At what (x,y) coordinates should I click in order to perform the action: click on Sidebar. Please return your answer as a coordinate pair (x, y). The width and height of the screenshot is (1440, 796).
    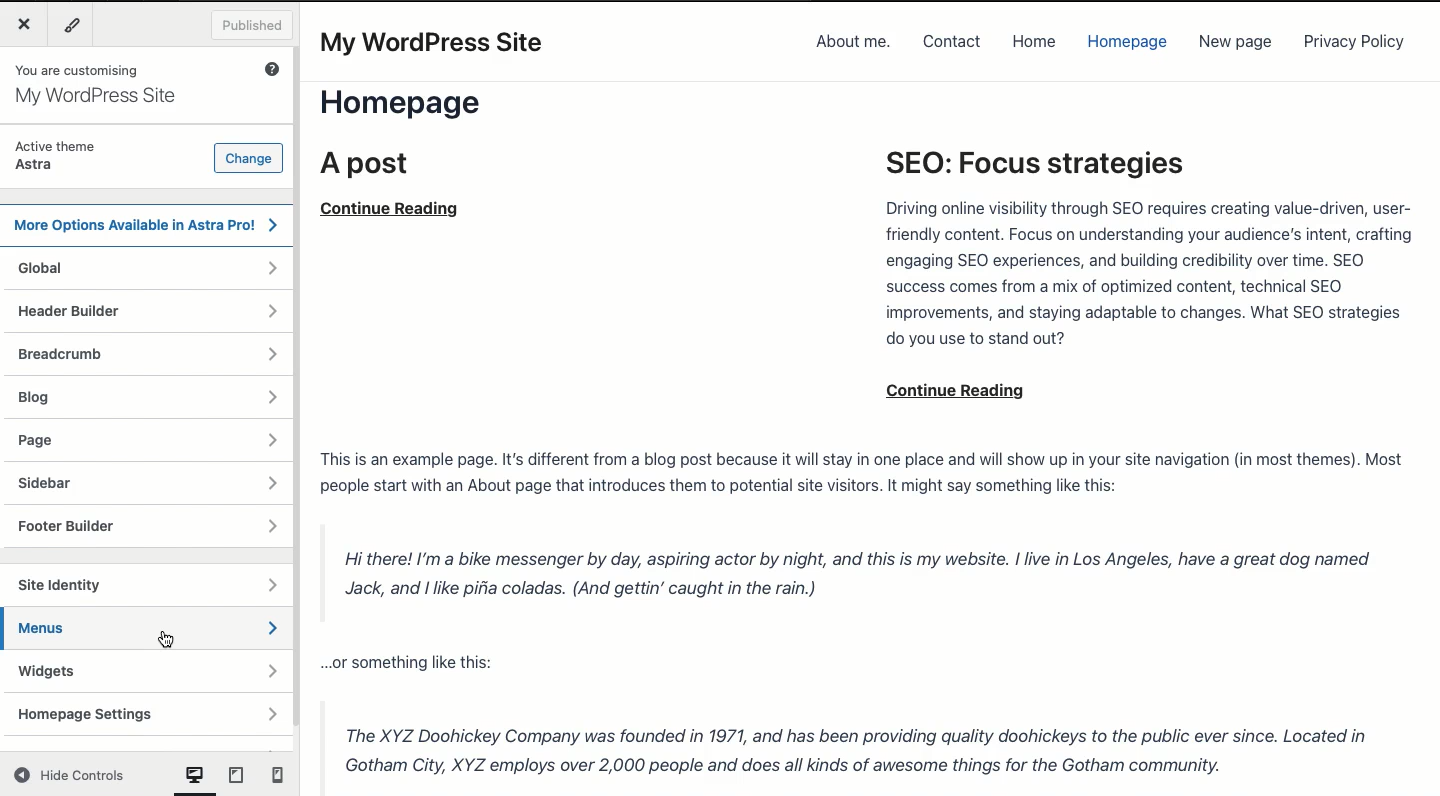
    Looking at the image, I should click on (149, 482).